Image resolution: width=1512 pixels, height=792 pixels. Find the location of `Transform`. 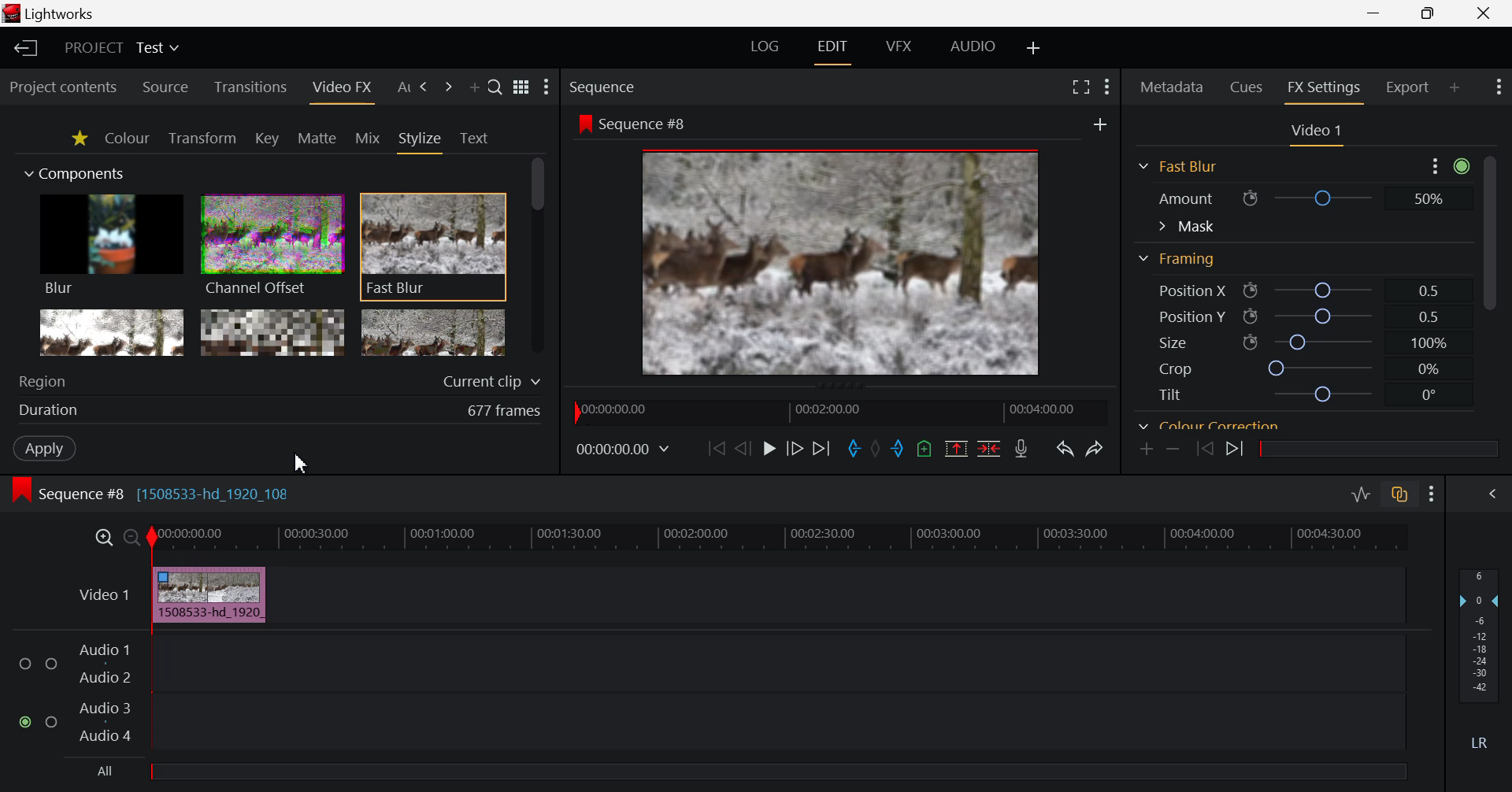

Transform is located at coordinates (203, 138).